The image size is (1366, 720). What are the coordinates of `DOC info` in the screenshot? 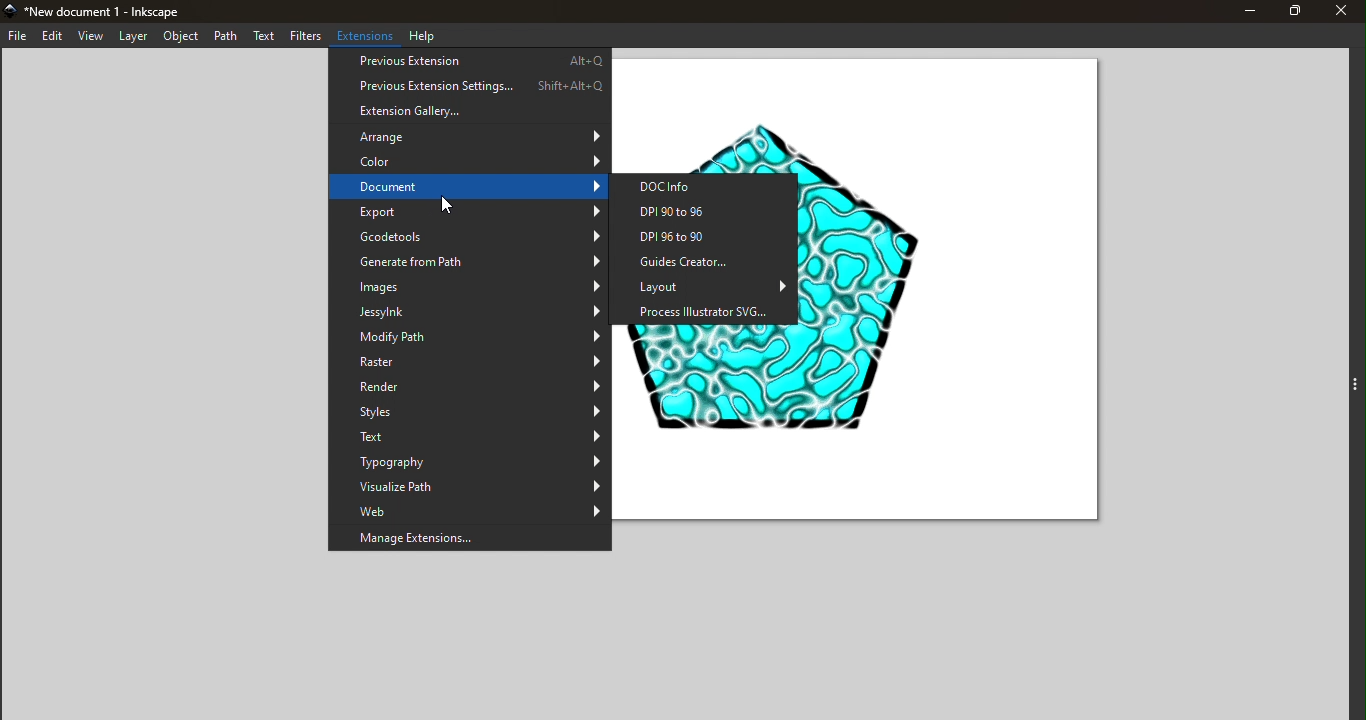 It's located at (710, 184).